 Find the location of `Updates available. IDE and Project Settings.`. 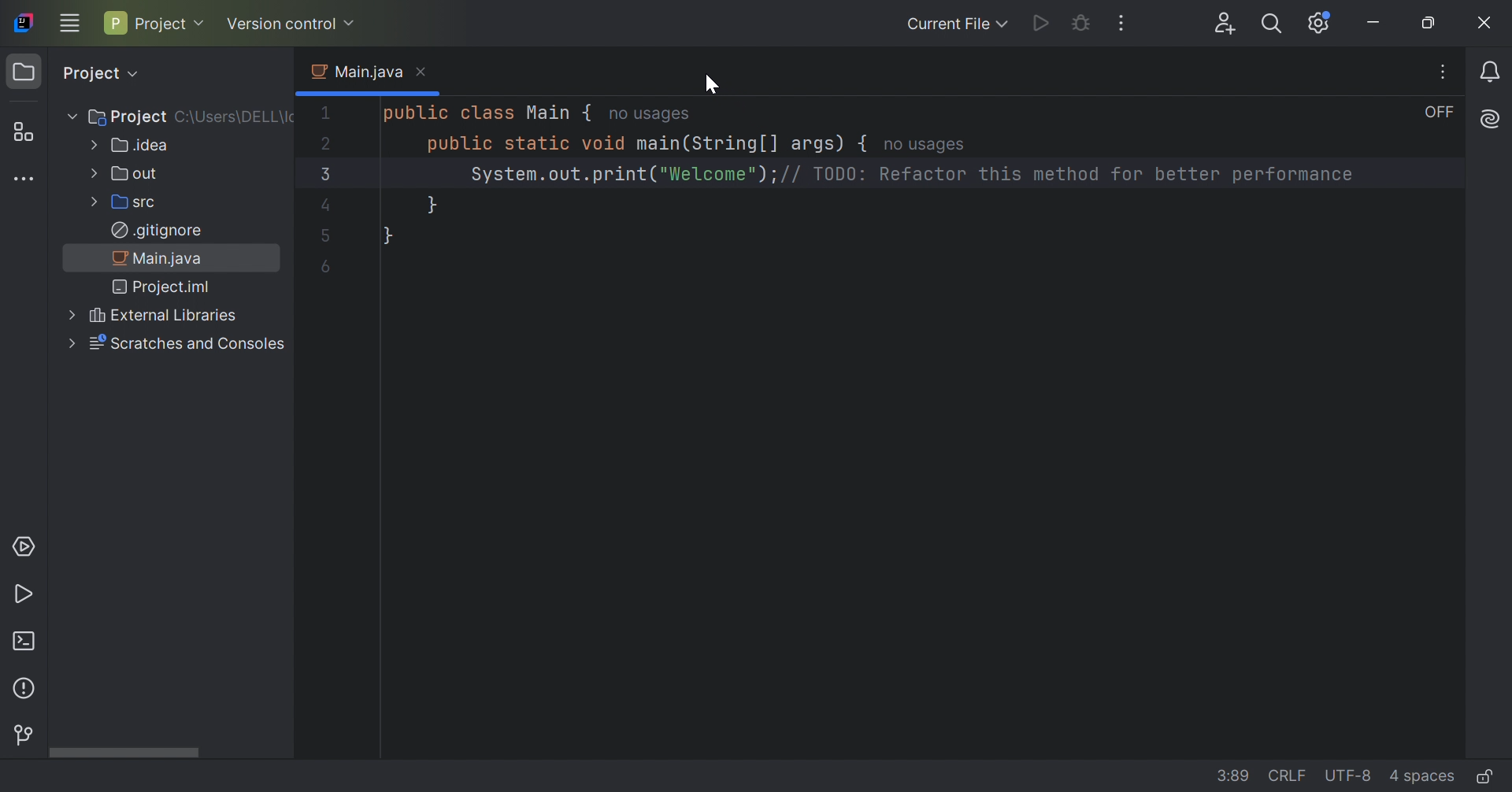

Updates available. IDE and Project Settings. is located at coordinates (1318, 25).